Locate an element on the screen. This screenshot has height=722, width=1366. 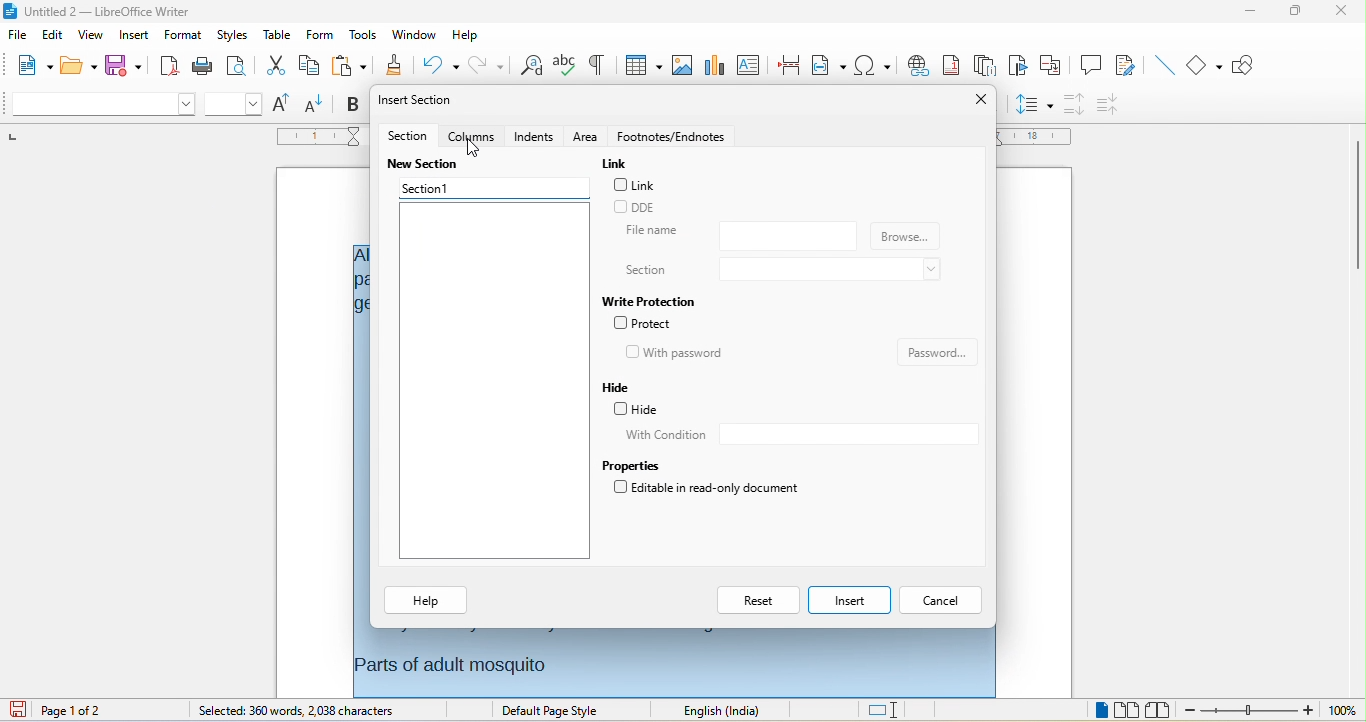
insert is located at coordinates (849, 600).